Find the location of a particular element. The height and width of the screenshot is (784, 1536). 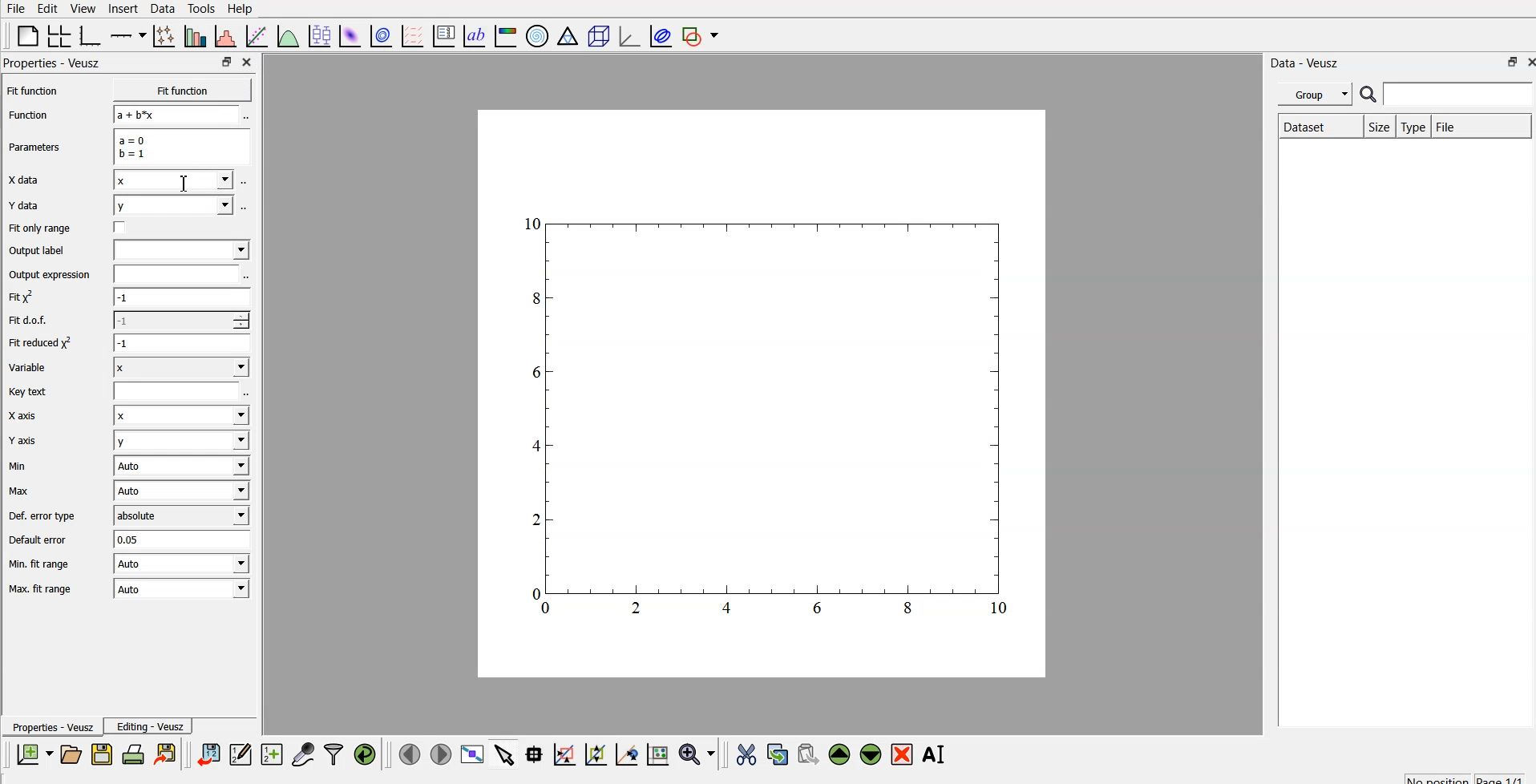

absolute is located at coordinates (182, 517).